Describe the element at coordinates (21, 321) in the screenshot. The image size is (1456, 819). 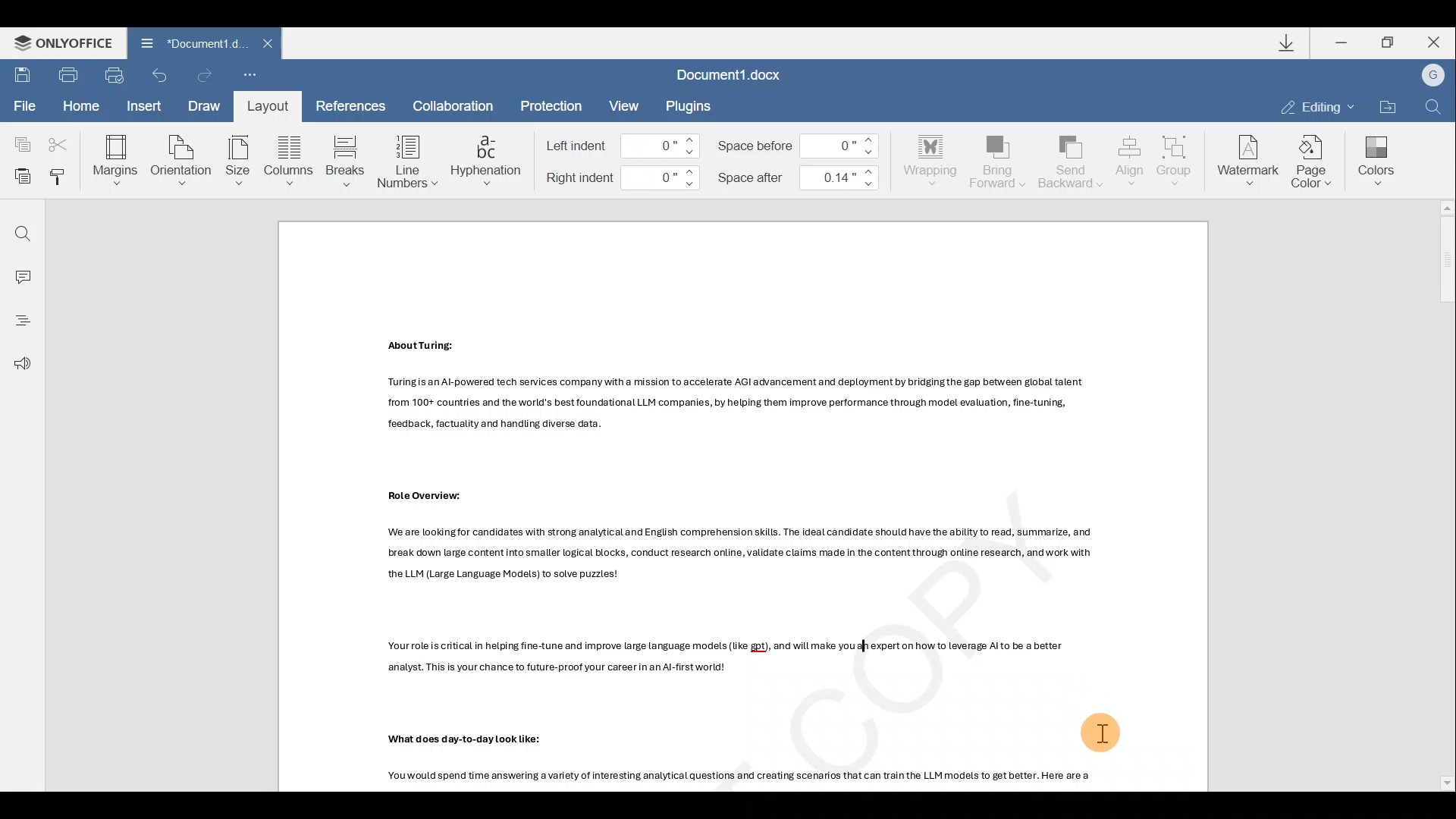
I see `Heading` at that location.